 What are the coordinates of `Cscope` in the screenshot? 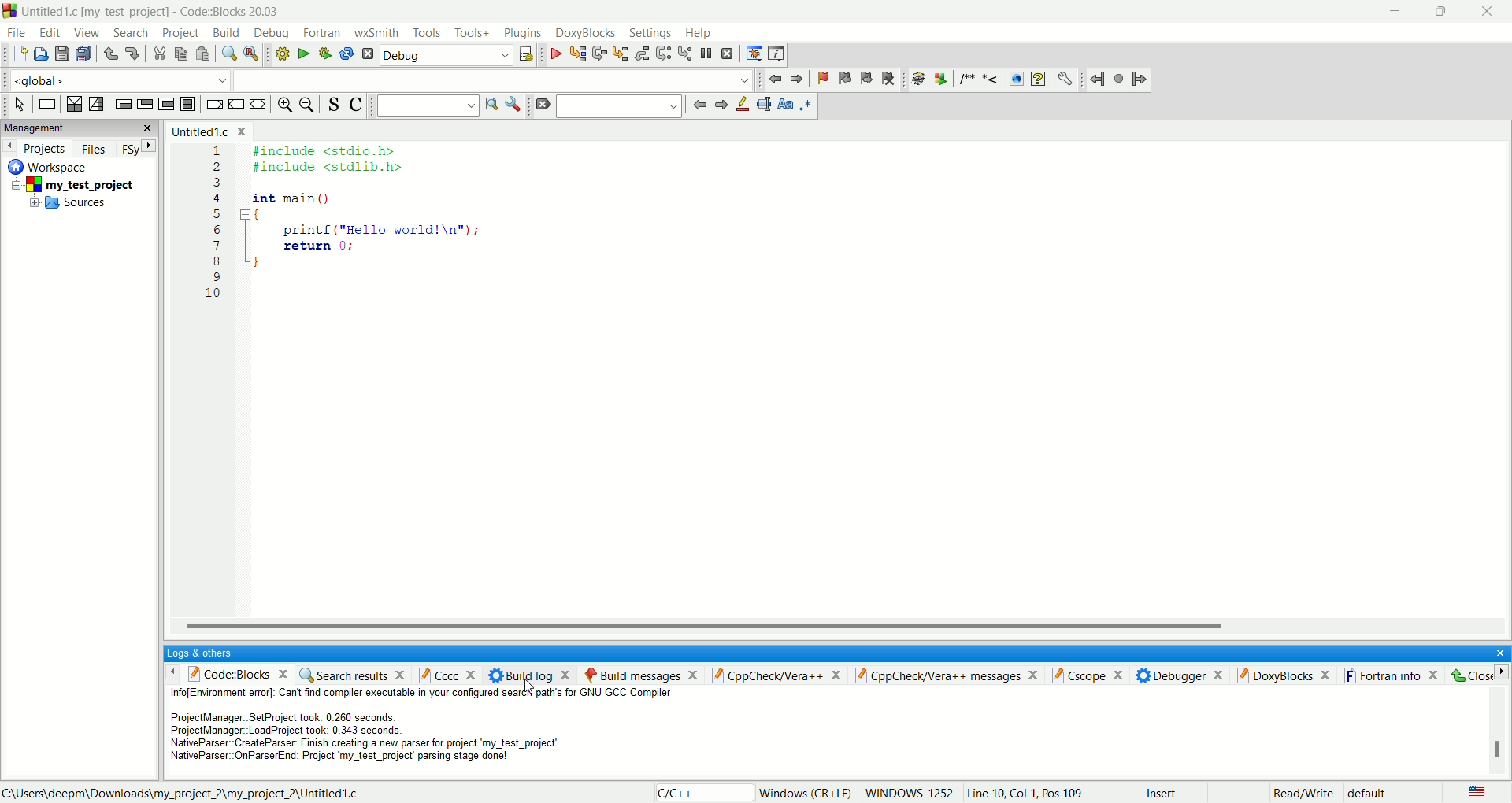 It's located at (1093, 675).